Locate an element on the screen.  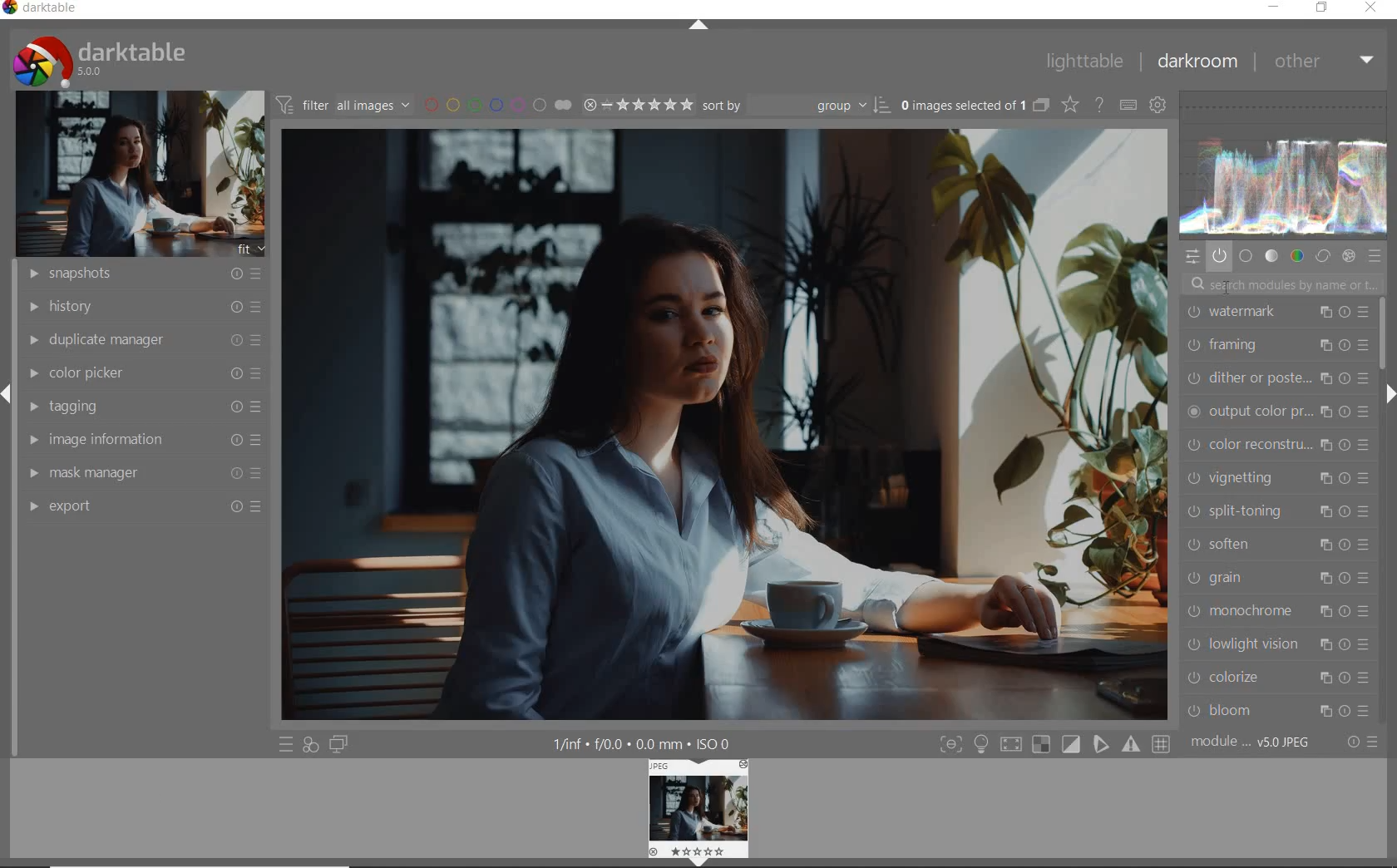
colorize is located at coordinates (1274, 678).